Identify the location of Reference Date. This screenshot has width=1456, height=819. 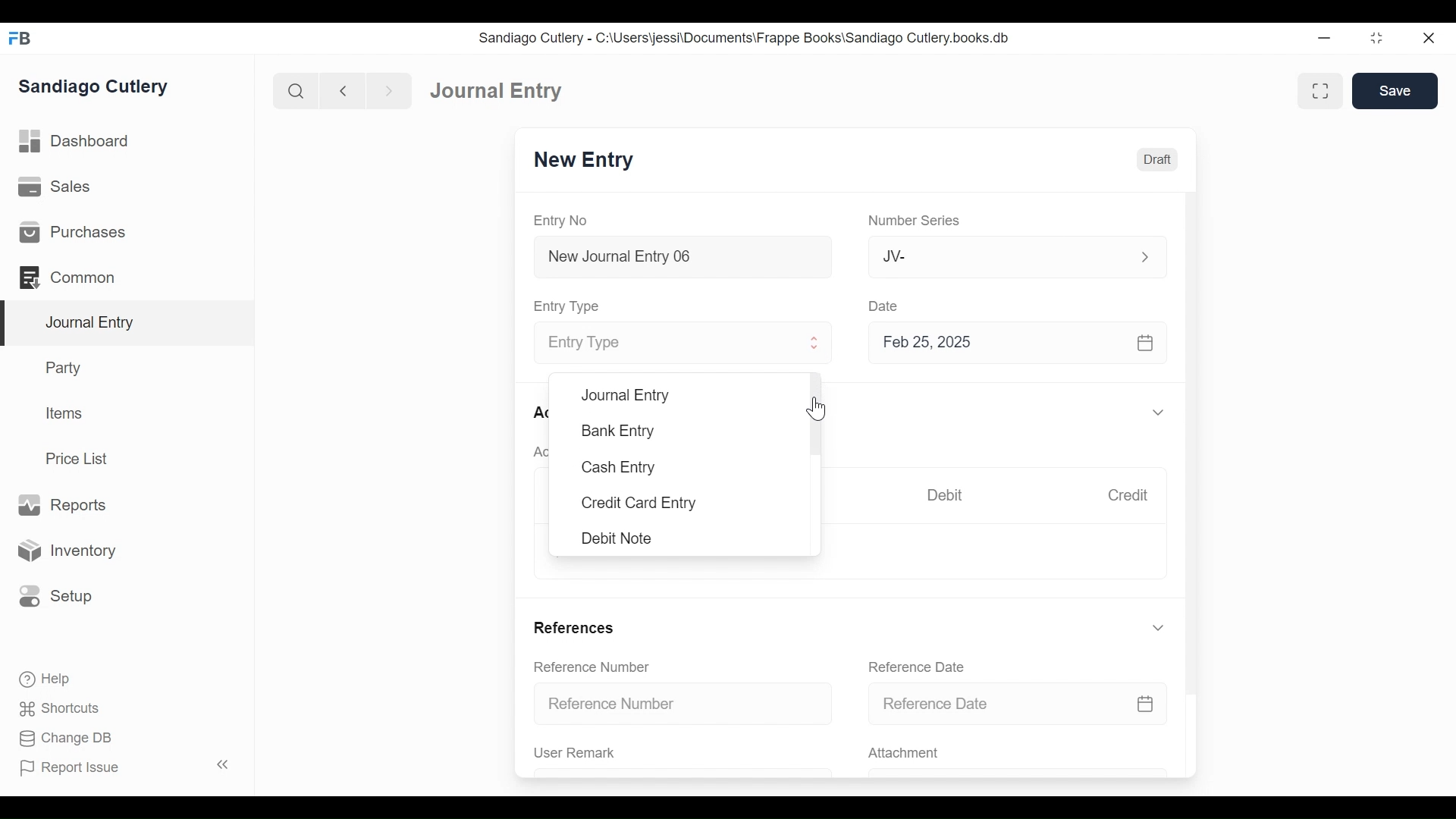
(1017, 702).